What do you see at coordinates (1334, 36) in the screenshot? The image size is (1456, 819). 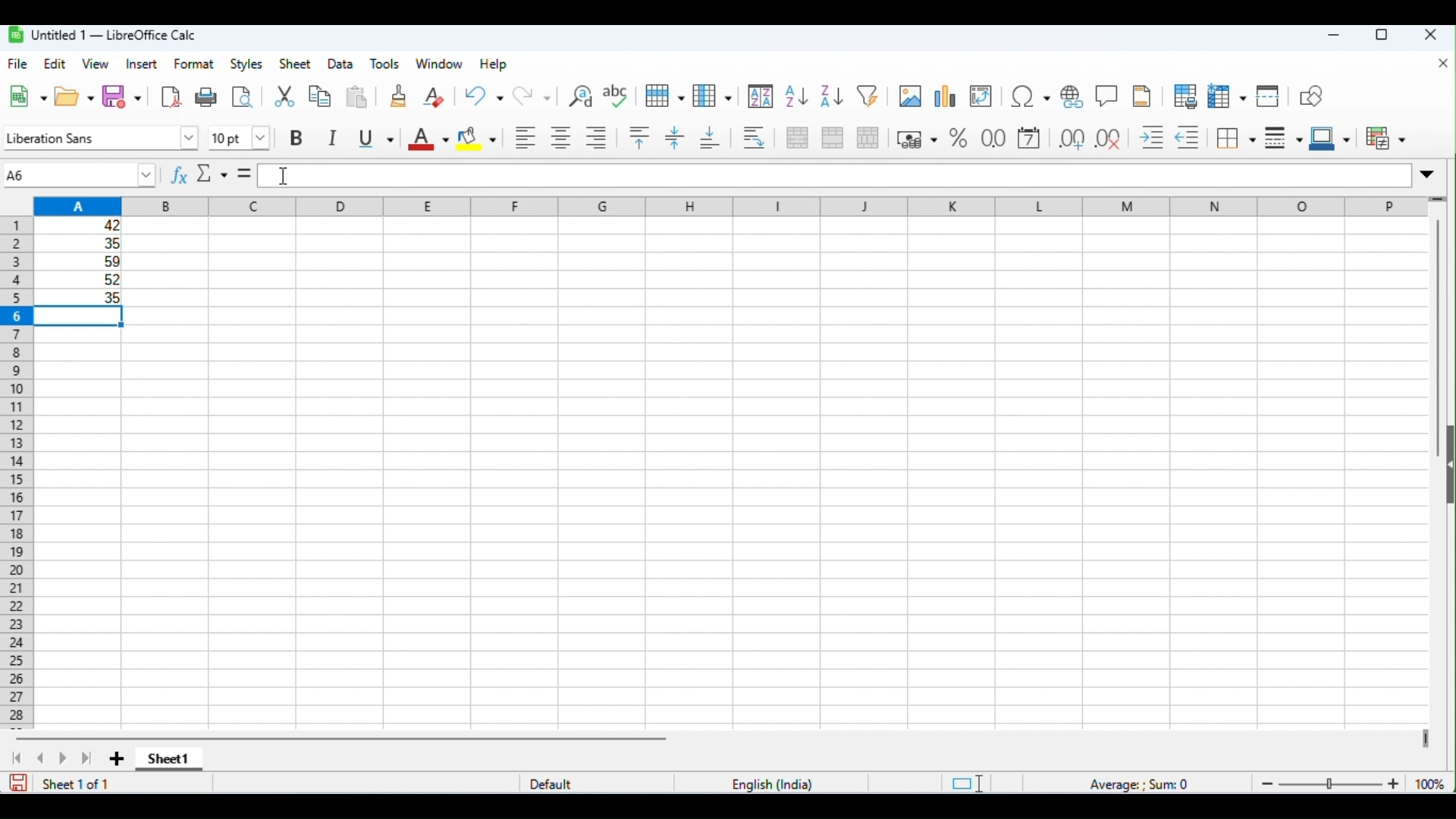 I see `minimize` at bounding box center [1334, 36].